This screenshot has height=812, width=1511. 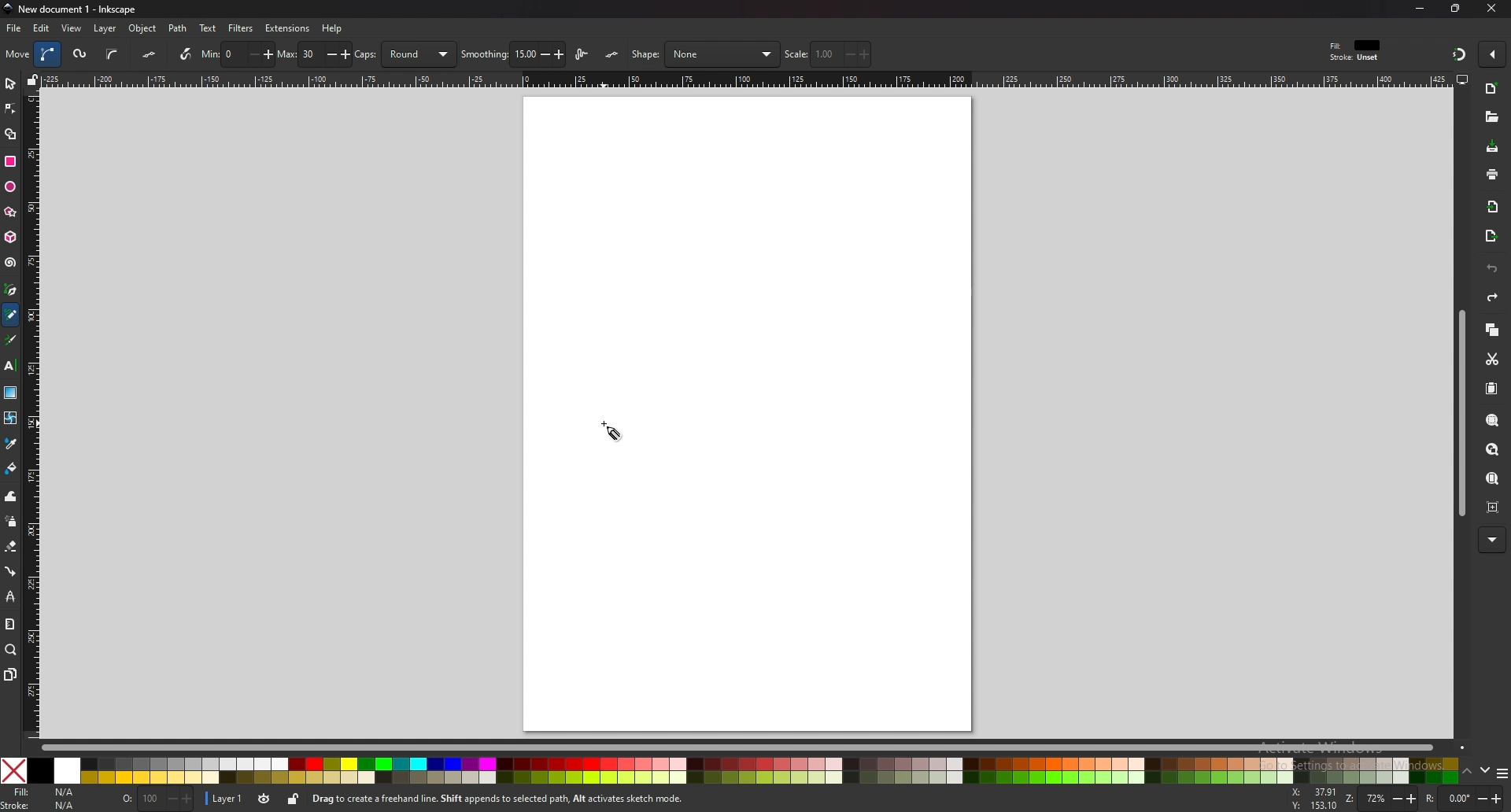 What do you see at coordinates (209, 28) in the screenshot?
I see `text` at bounding box center [209, 28].